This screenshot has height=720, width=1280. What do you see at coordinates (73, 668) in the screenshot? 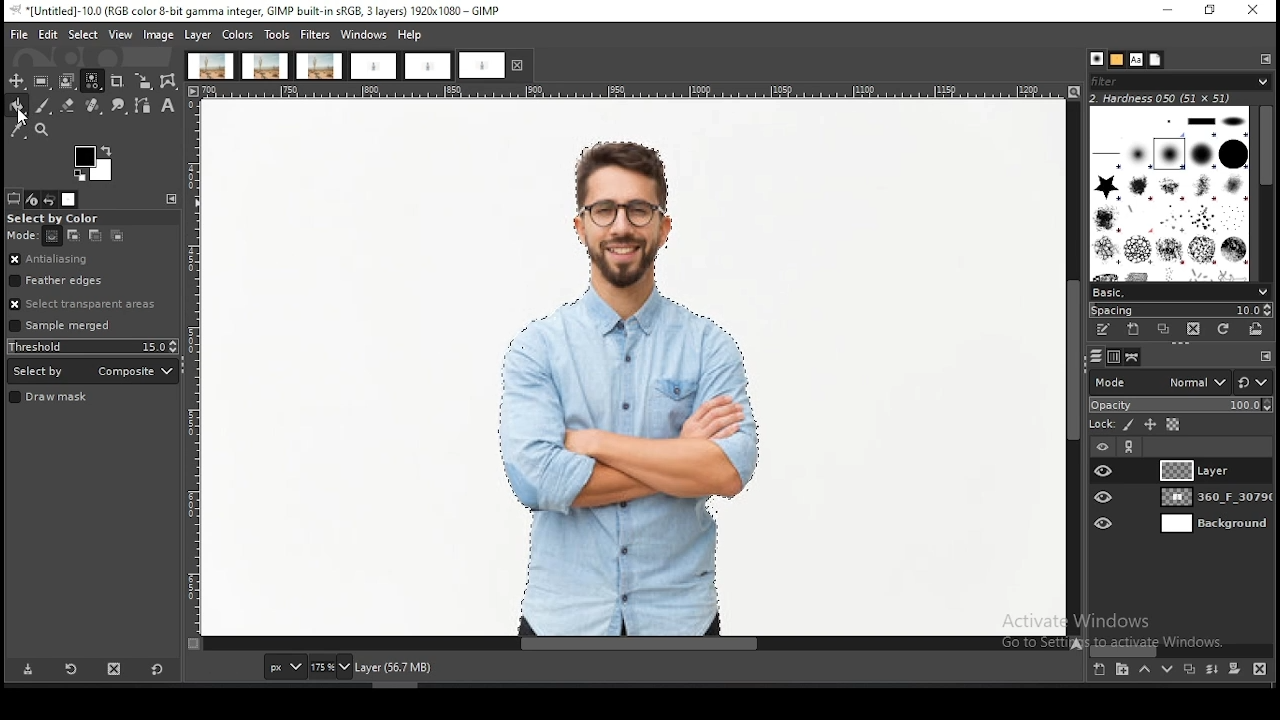
I see `restore tool preset` at bounding box center [73, 668].